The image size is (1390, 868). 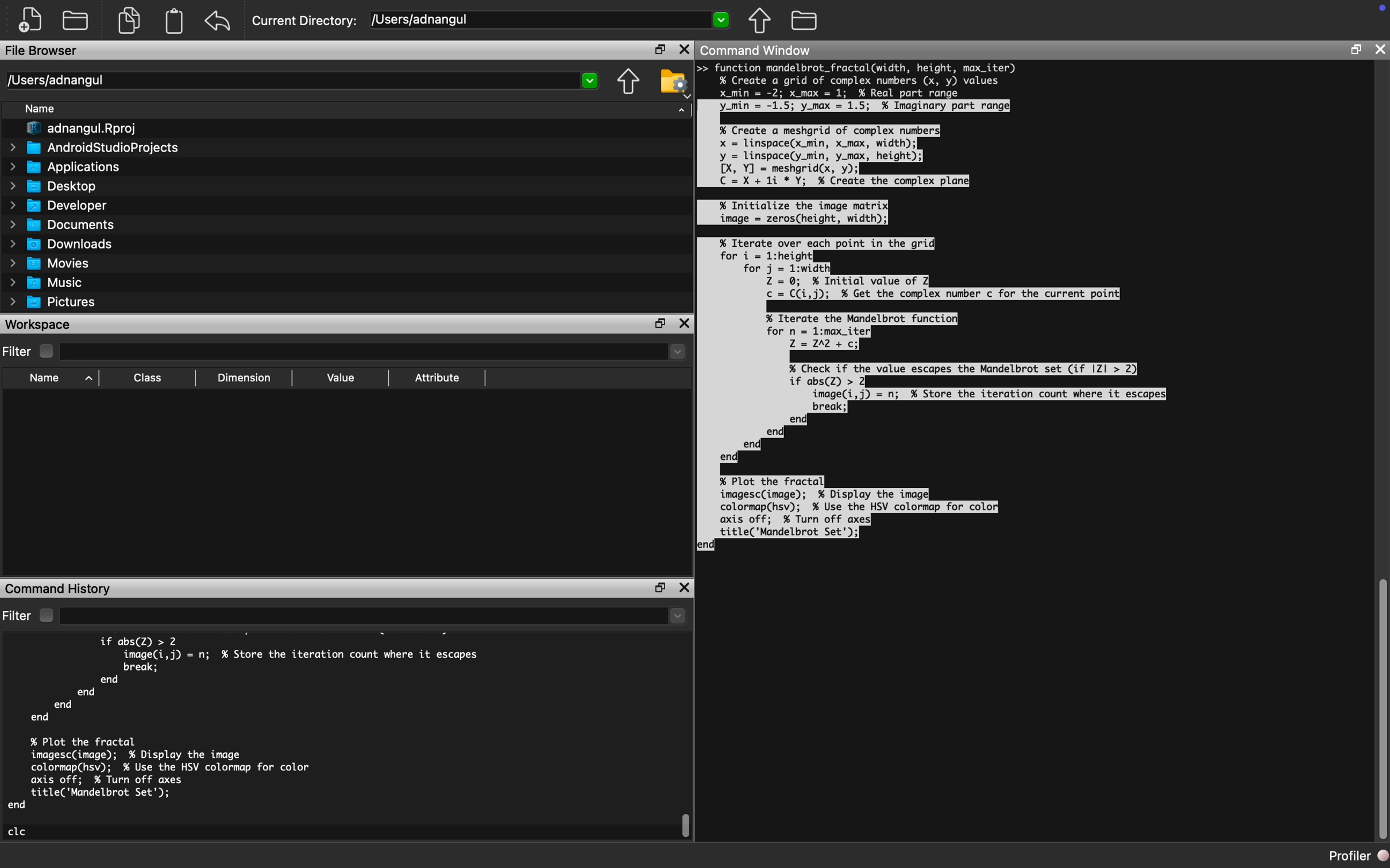 What do you see at coordinates (175, 24) in the screenshot?
I see `Clipboard` at bounding box center [175, 24].